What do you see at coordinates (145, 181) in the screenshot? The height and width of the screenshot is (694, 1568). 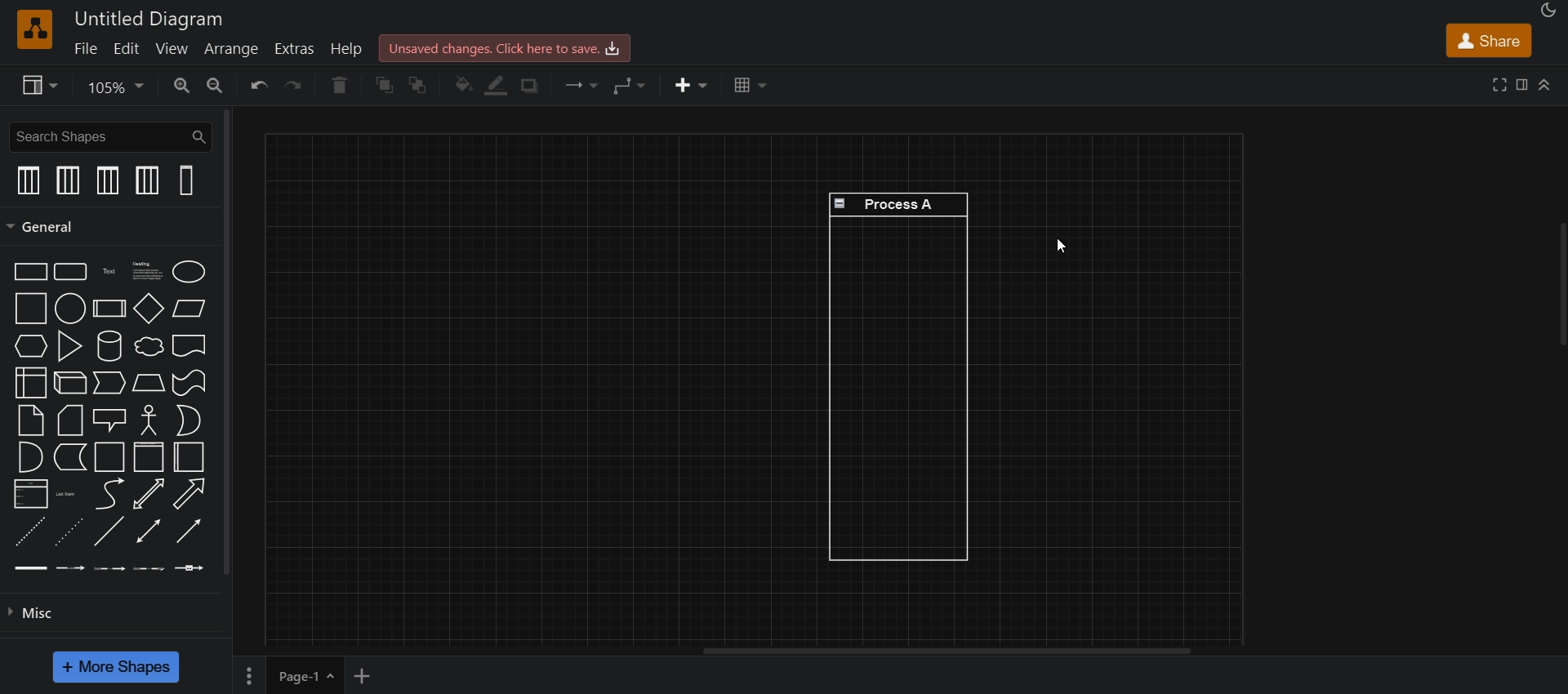 I see `vertical pool 2` at bounding box center [145, 181].